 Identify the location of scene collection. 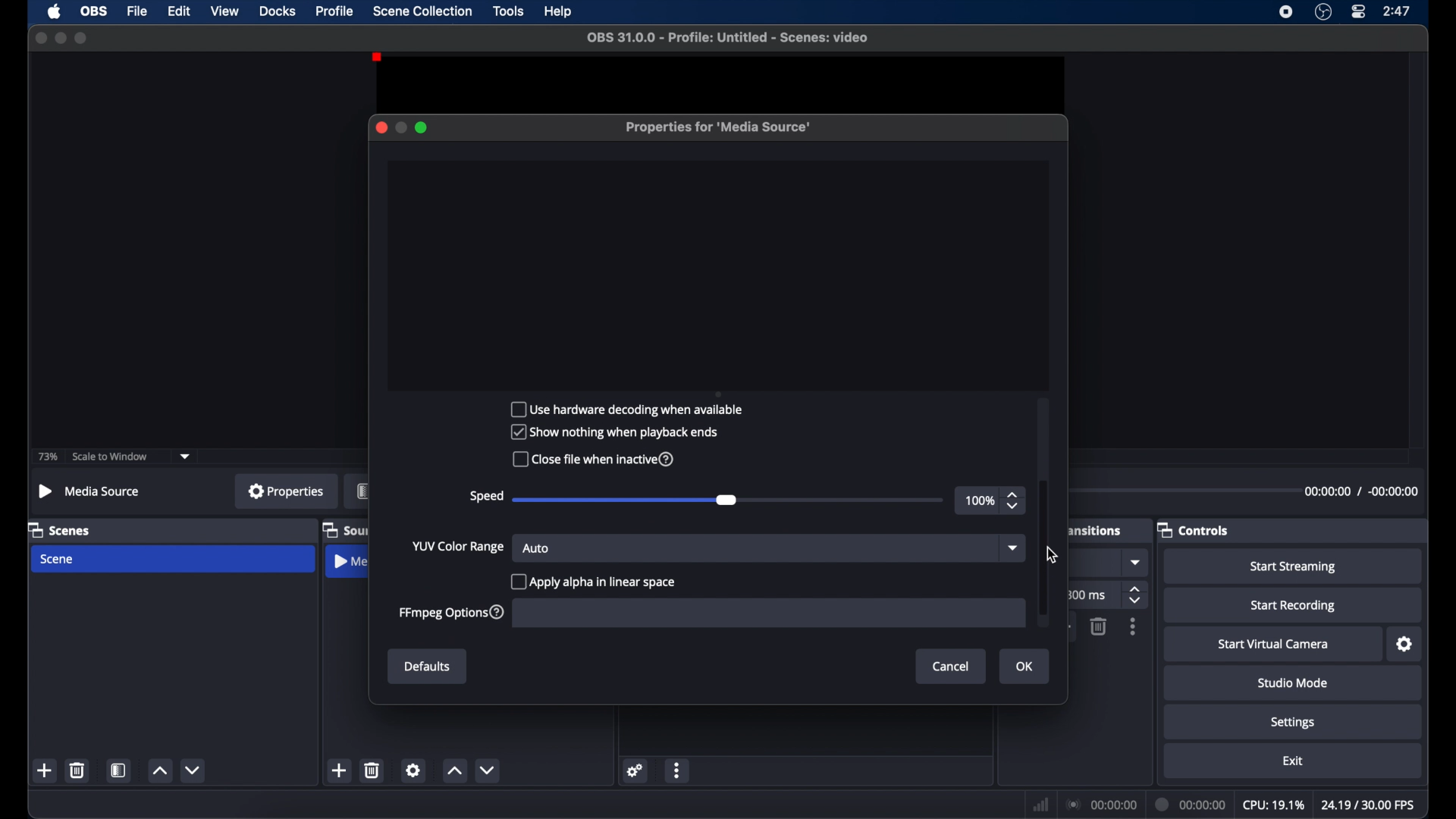
(424, 11).